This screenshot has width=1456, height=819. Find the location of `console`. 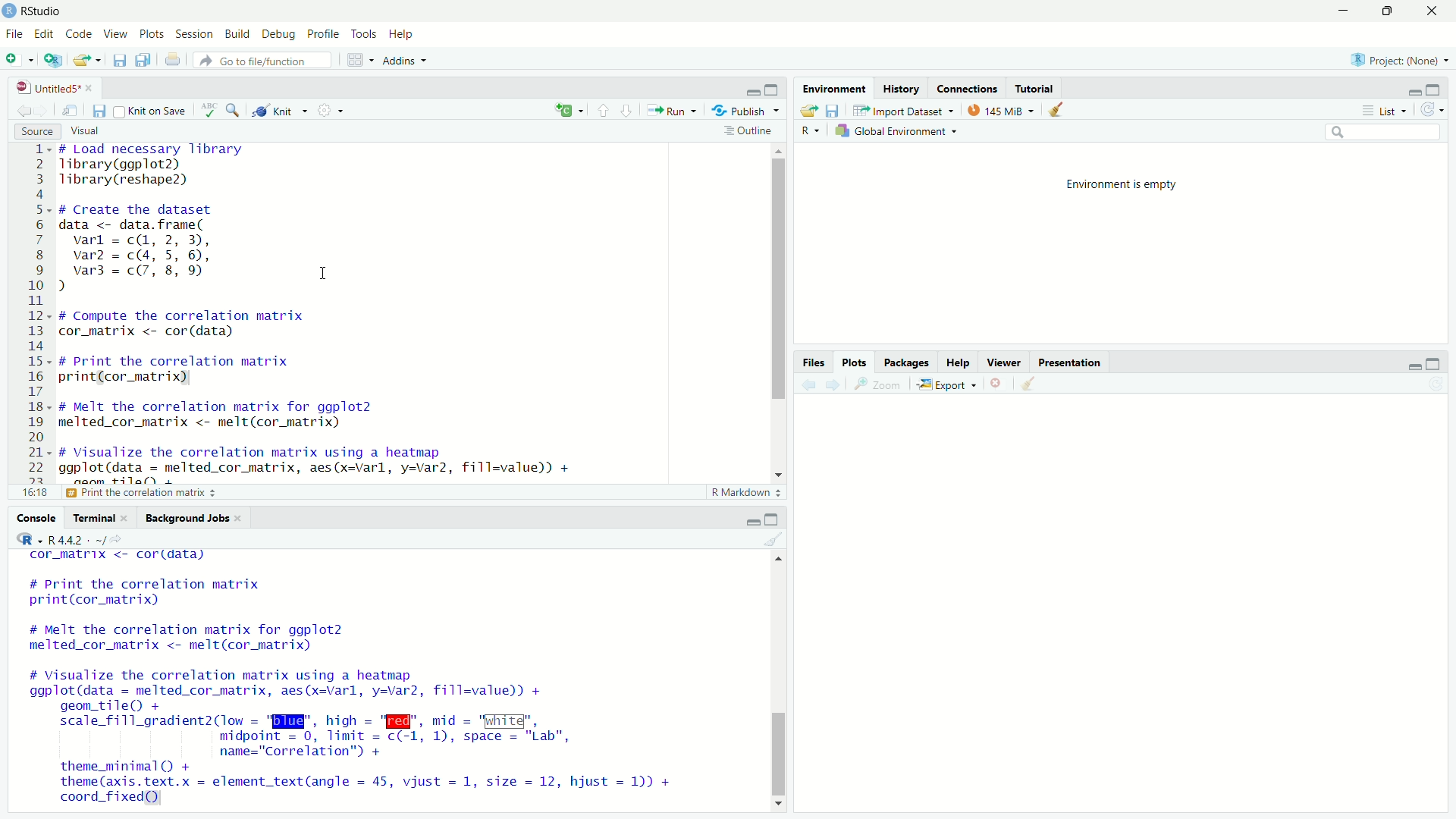

console is located at coordinates (38, 518).